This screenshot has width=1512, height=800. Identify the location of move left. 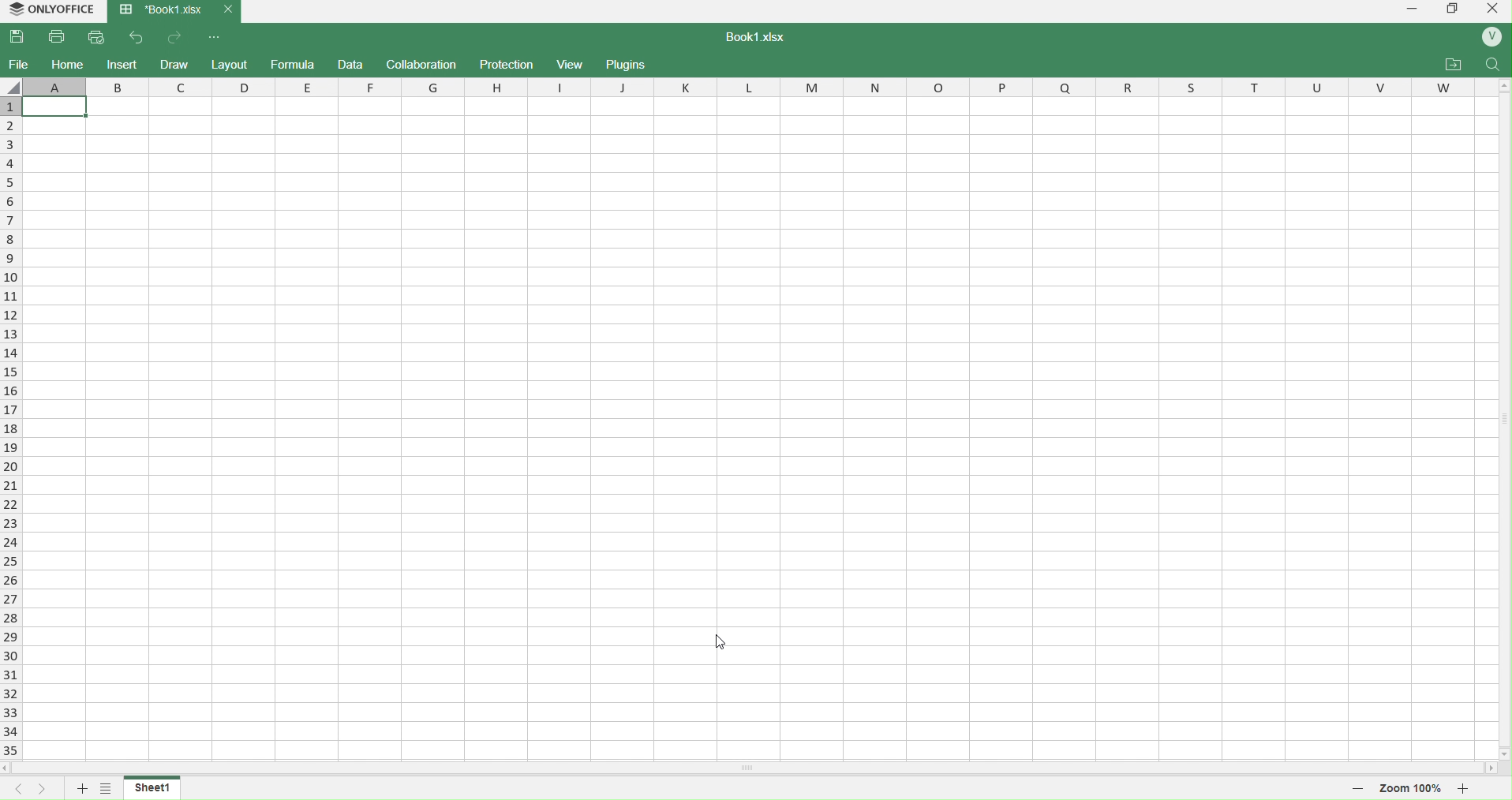
(9, 768).